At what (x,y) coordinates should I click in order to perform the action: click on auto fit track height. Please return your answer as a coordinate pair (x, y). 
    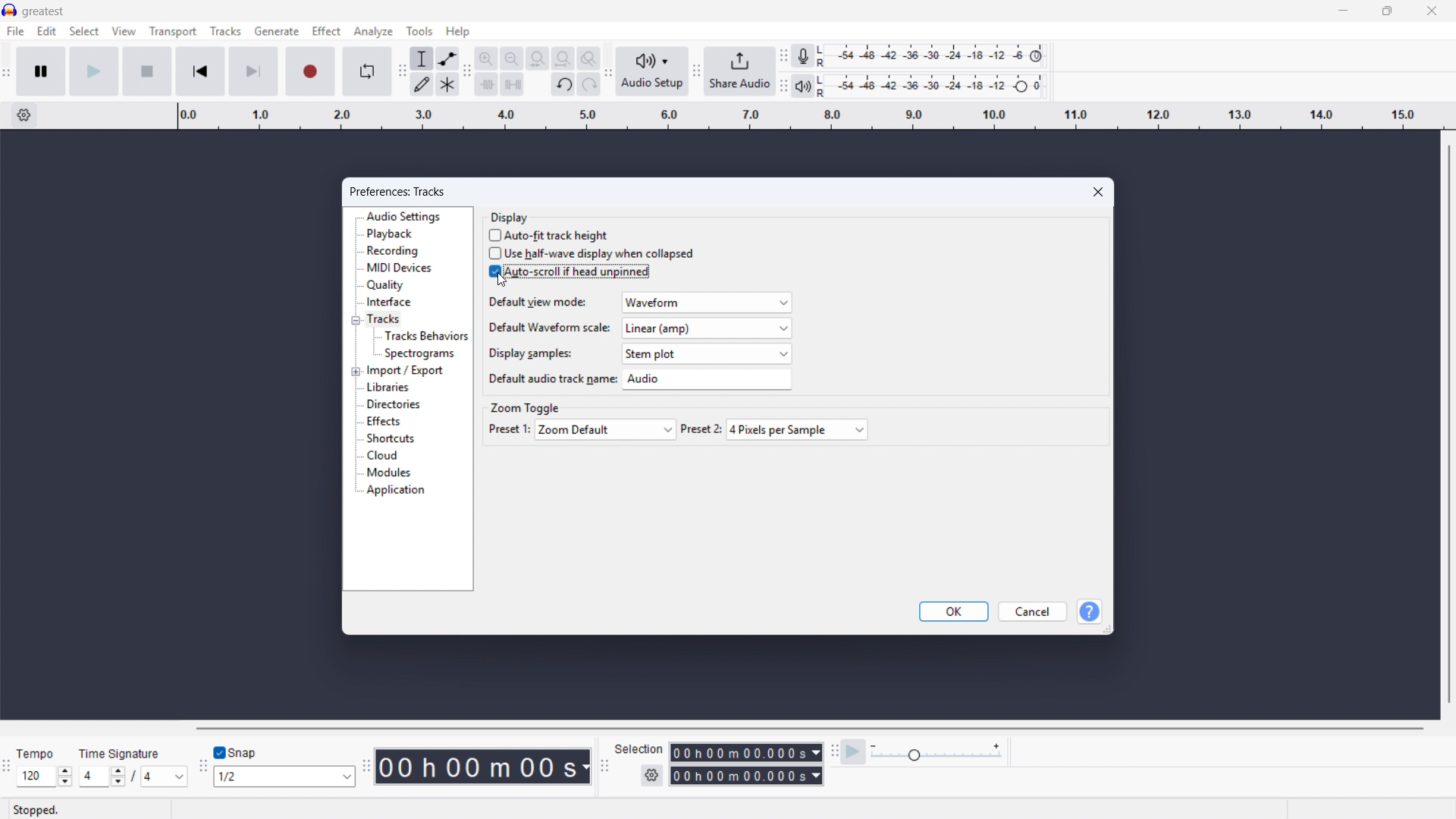
    Looking at the image, I should click on (551, 235).